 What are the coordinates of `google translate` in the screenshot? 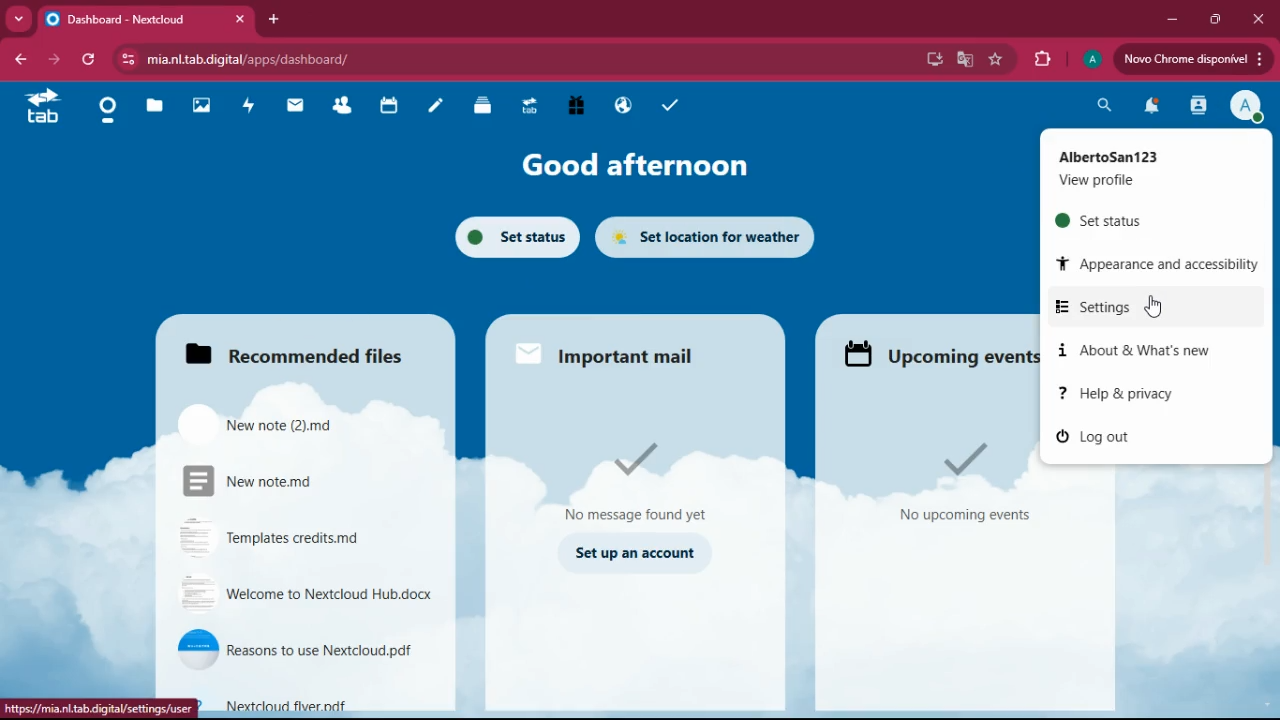 It's located at (962, 59).